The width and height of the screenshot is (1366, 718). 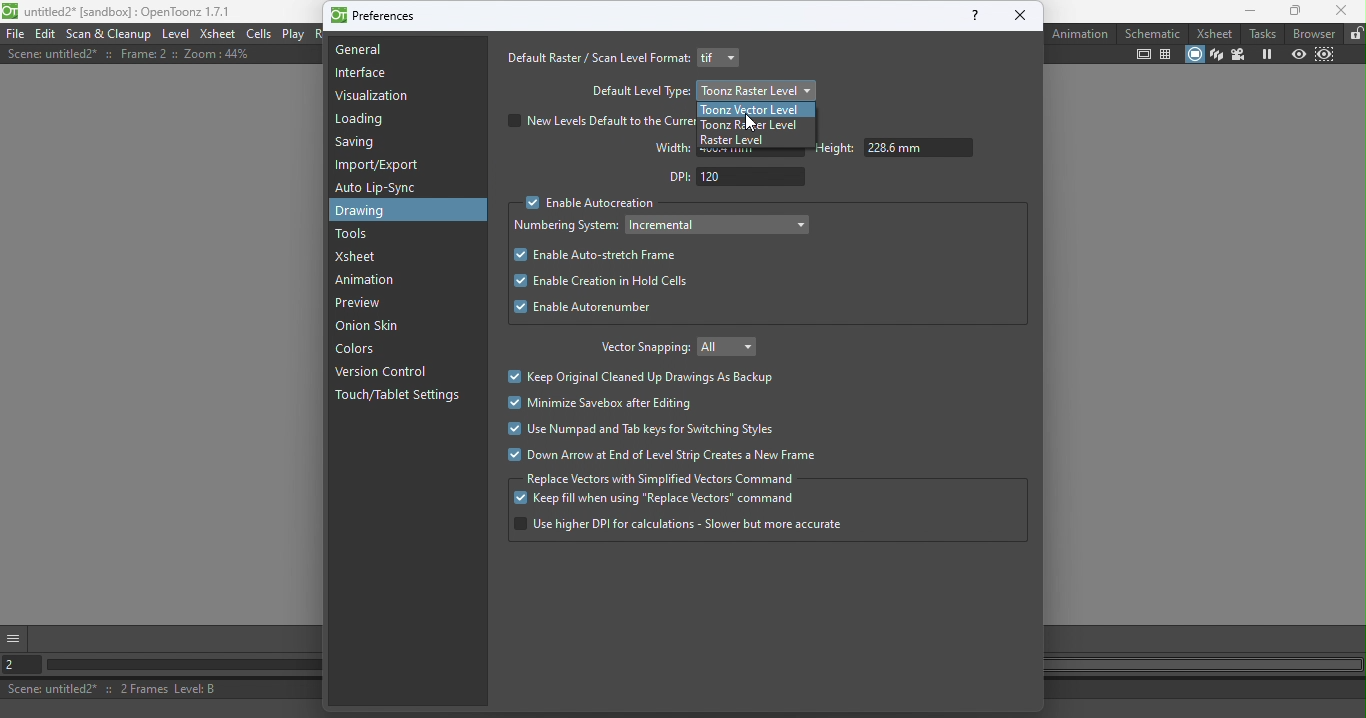 I want to click on Enable Autocreation, so click(x=586, y=204).